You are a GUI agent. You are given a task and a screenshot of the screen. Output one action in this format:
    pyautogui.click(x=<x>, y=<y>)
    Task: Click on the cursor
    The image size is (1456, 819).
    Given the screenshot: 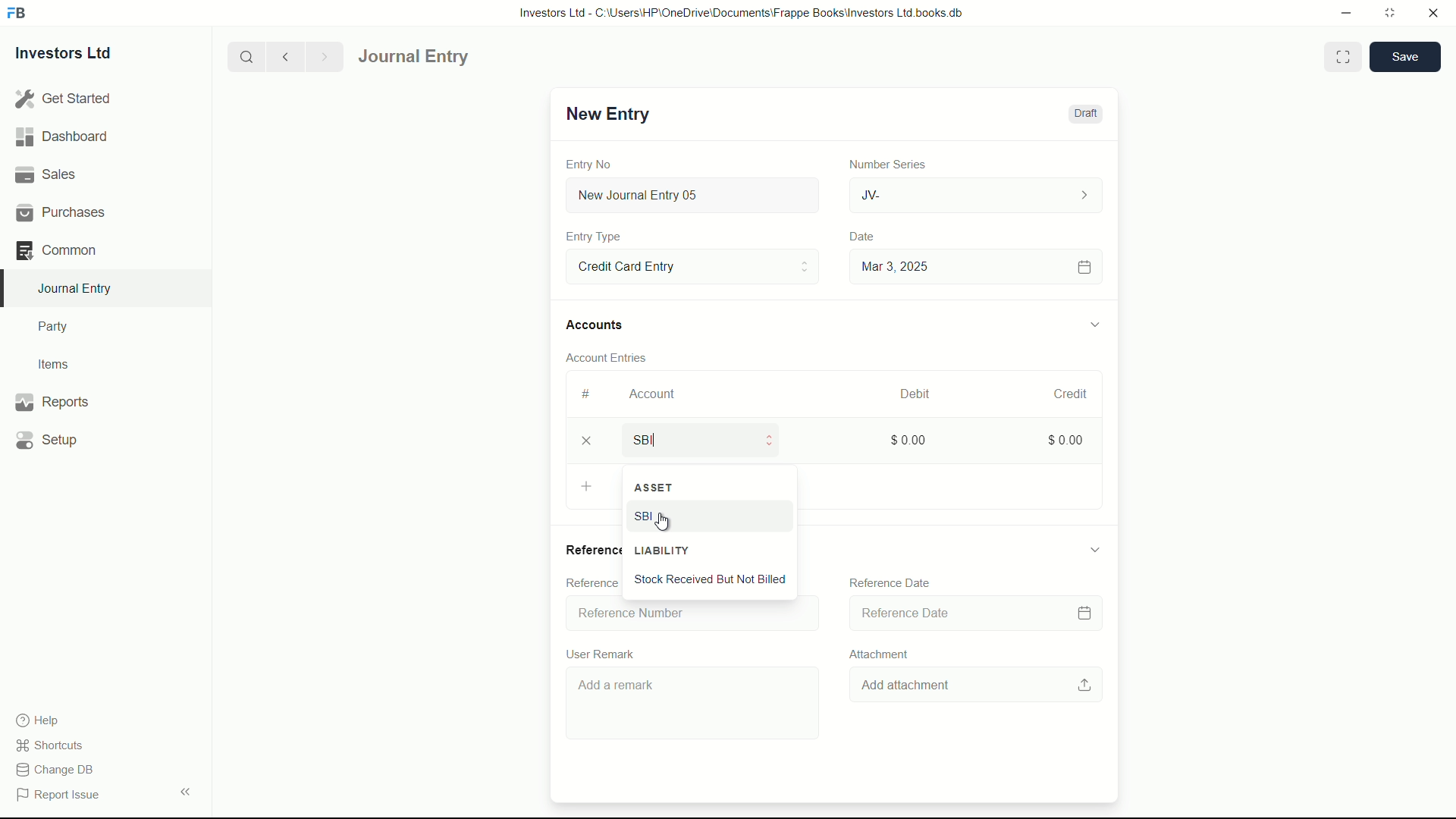 What is the action you would take?
    pyautogui.click(x=664, y=523)
    